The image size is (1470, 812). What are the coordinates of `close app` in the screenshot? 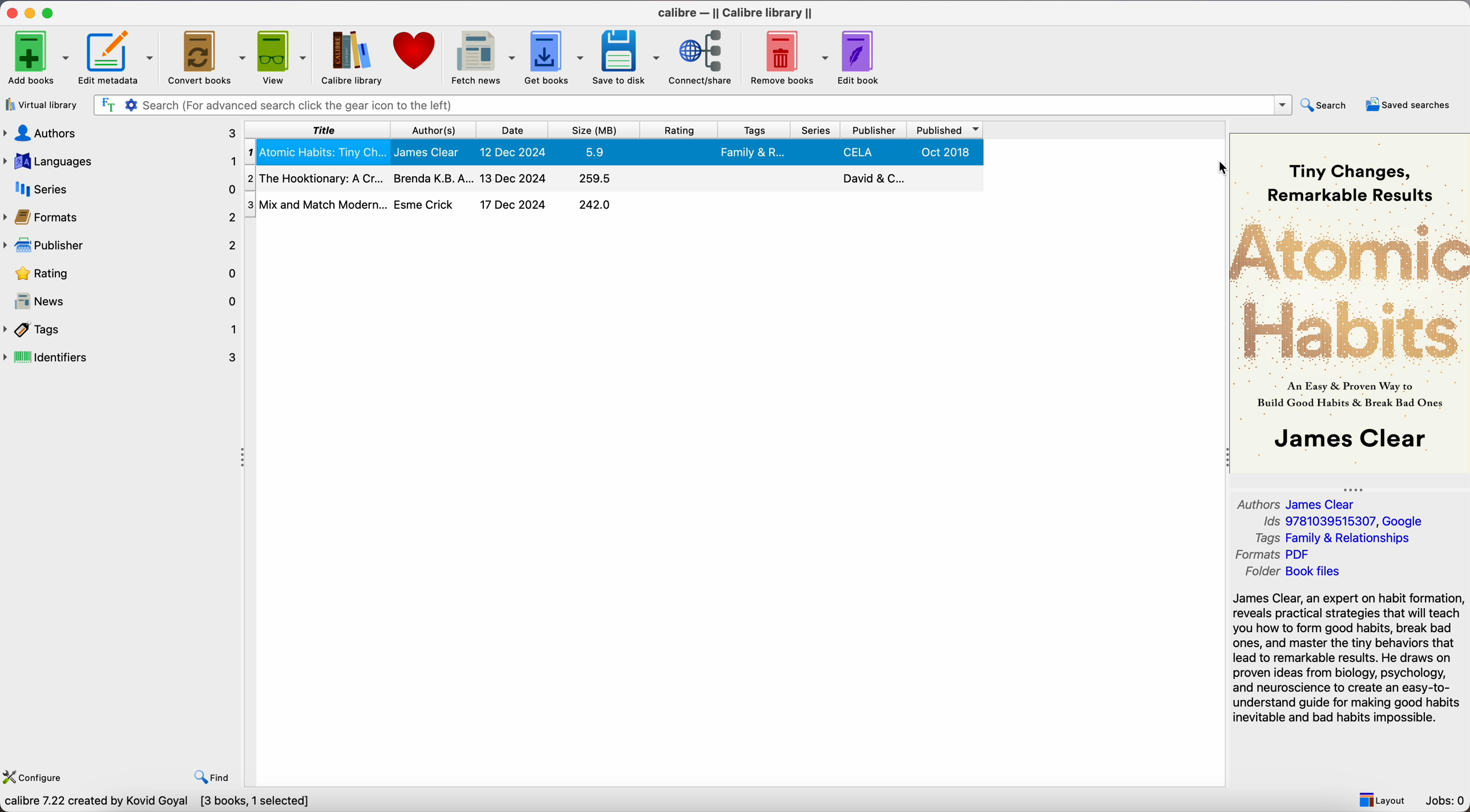 It's located at (12, 13).